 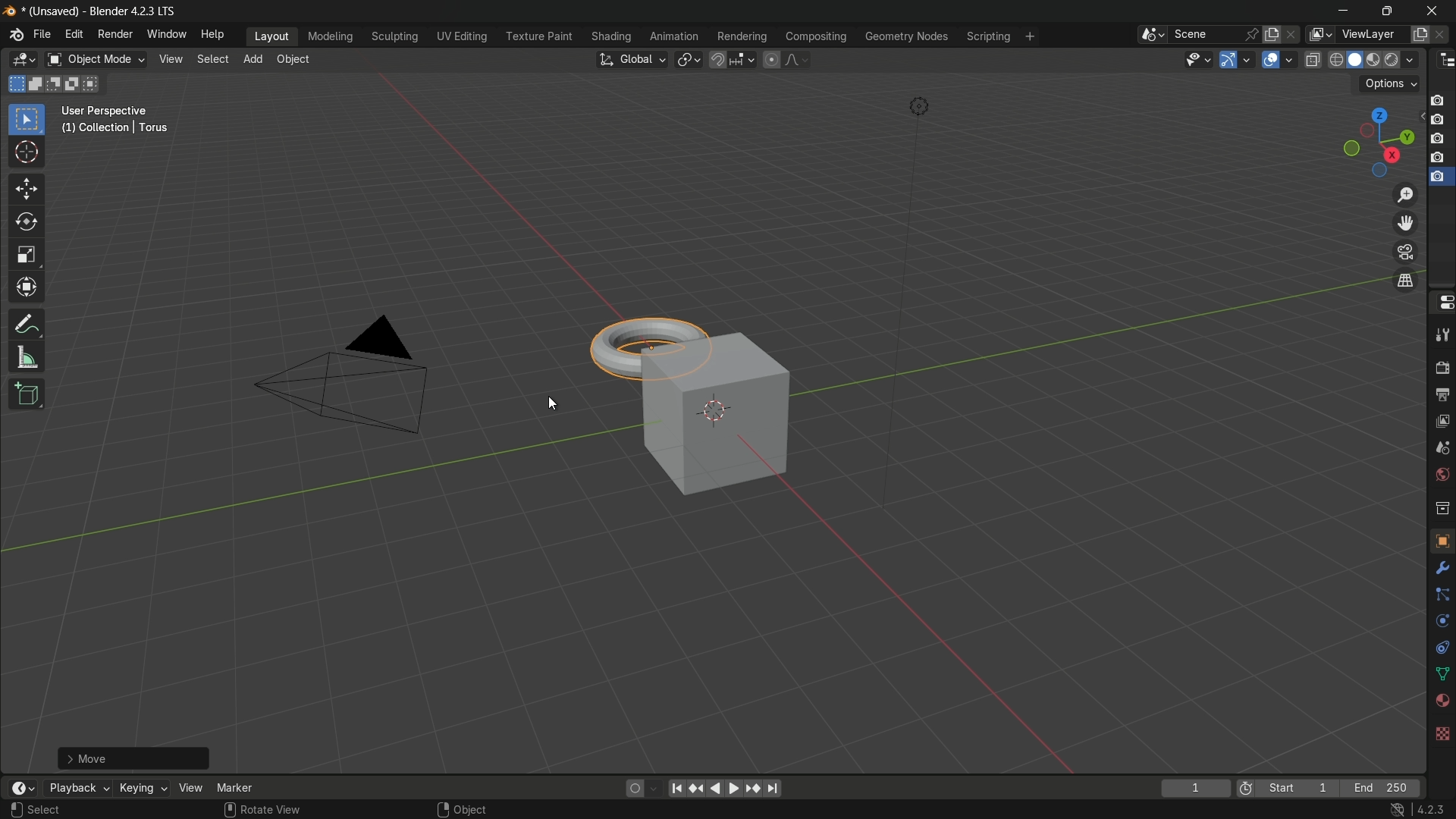 I want to click on help menu, so click(x=215, y=35).